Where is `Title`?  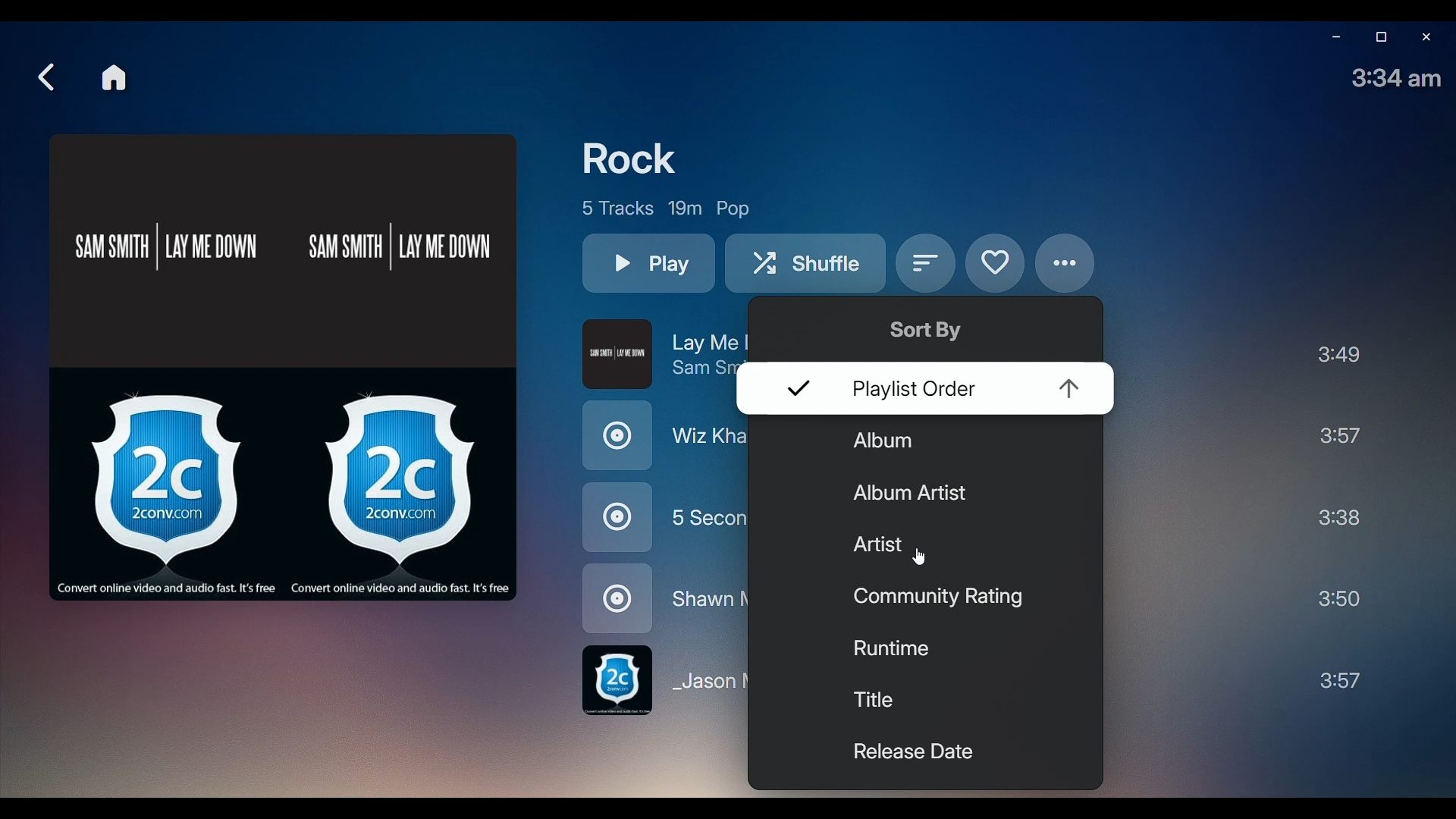 Title is located at coordinates (886, 701).